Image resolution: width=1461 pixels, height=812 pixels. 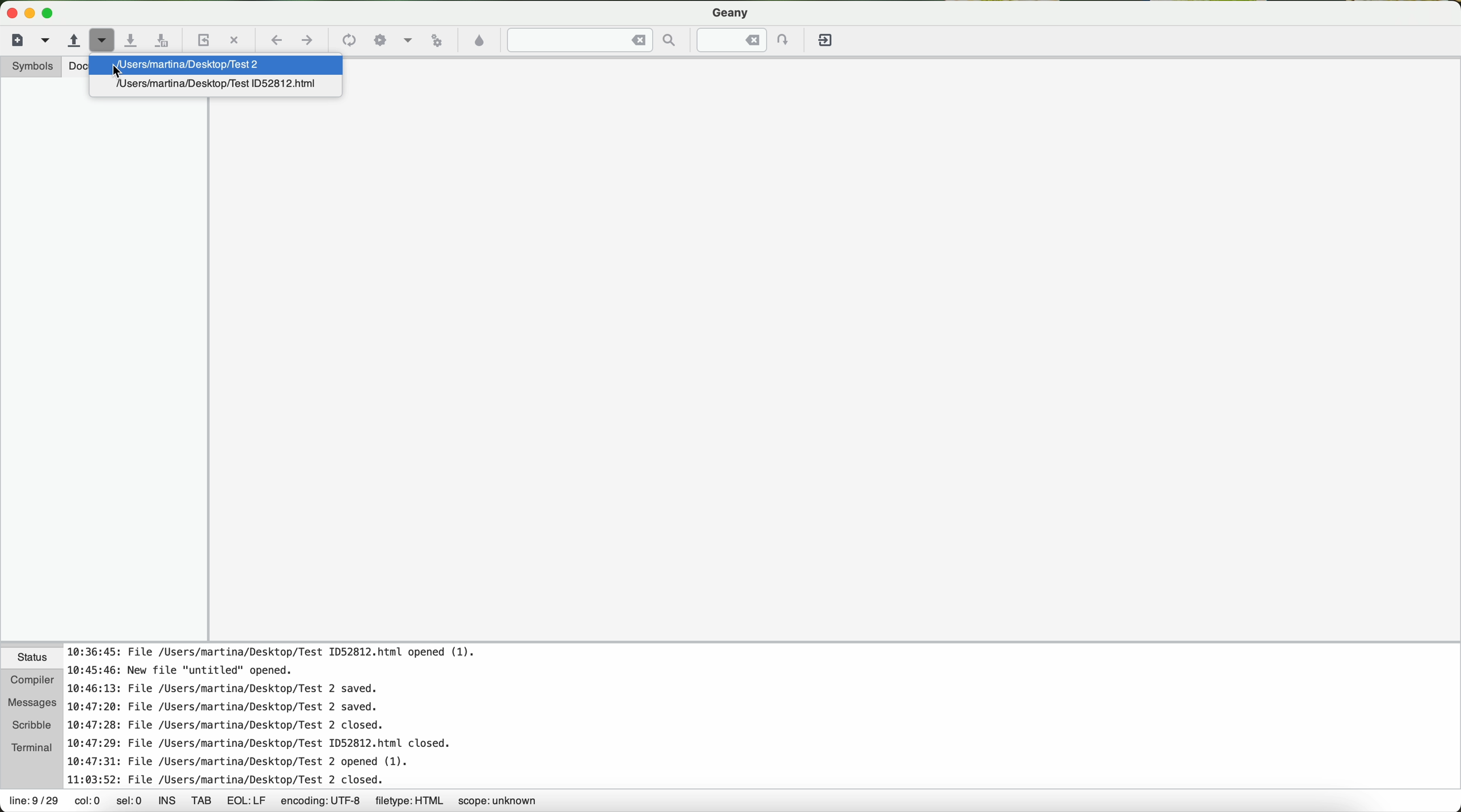 What do you see at coordinates (28, 747) in the screenshot?
I see `terminal` at bounding box center [28, 747].